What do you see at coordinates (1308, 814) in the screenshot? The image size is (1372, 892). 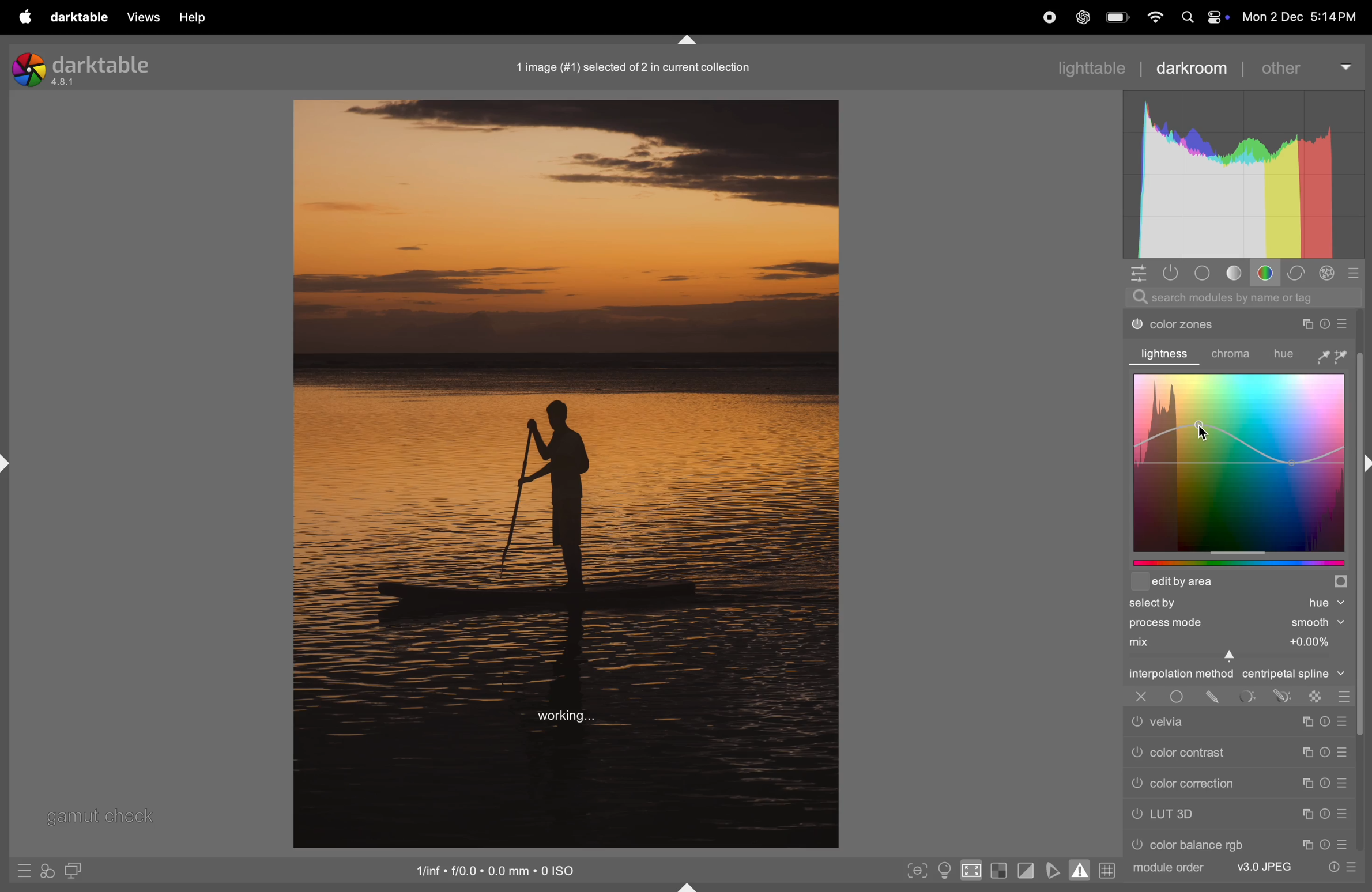 I see `Copy` at bounding box center [1308, 814].